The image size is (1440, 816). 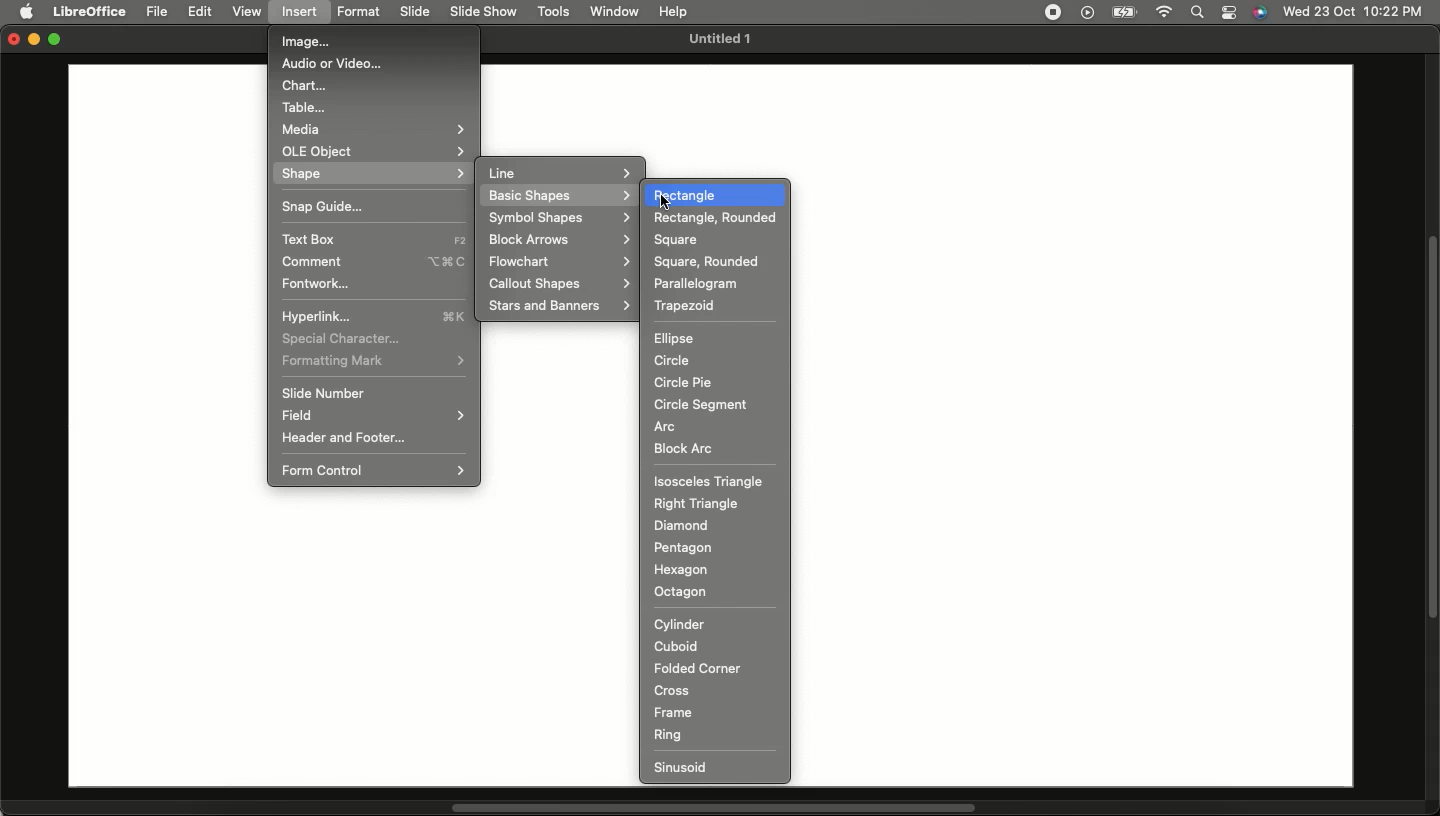 What do you see at coordinates (685, 306) in the screenshot?
I see `Trapezoid` at bounding box center [685, 306].